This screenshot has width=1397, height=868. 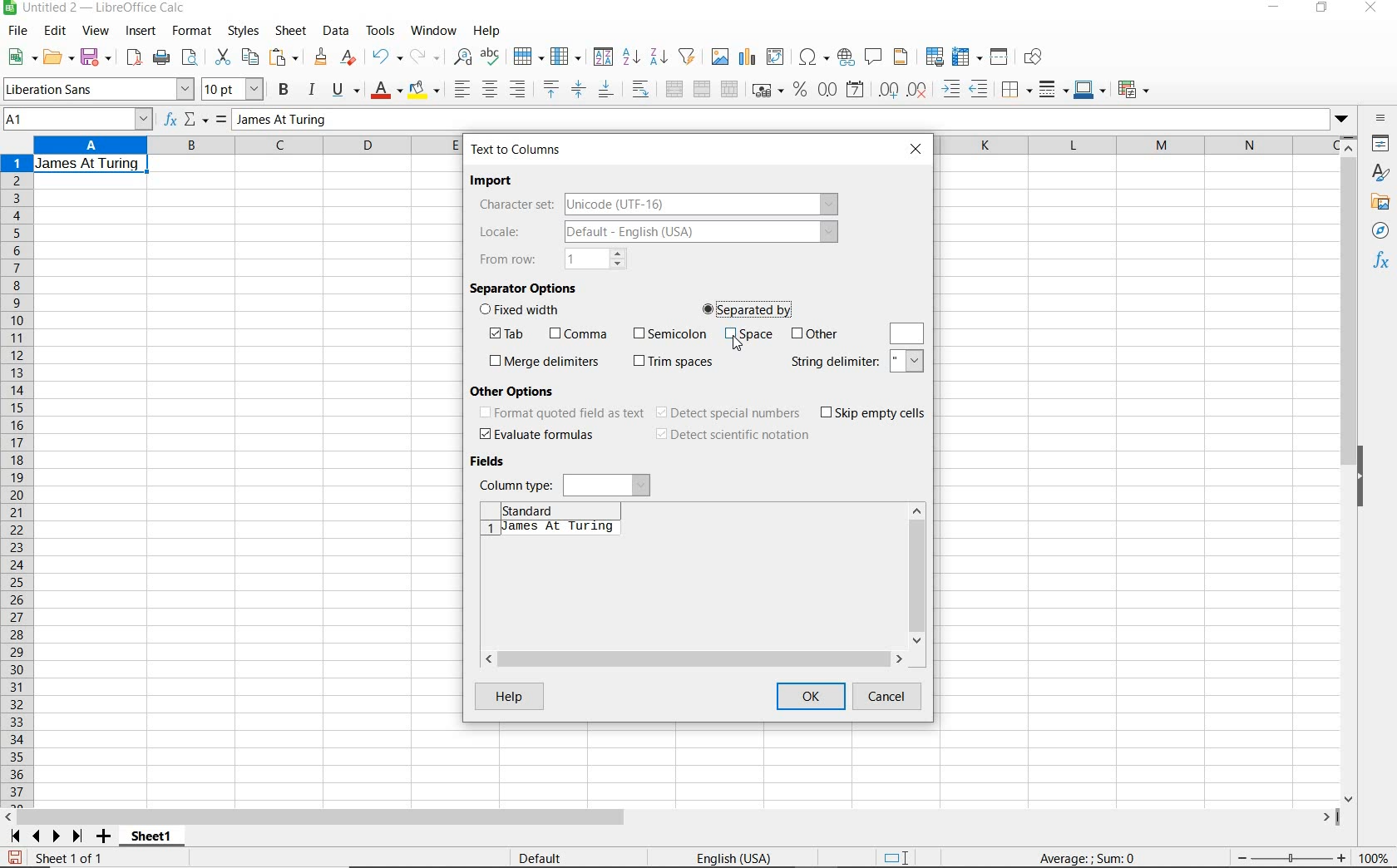 What do you see at coordinates (197, 121) in the screenshot?
I see `select function` at bounding box center [197, 121].